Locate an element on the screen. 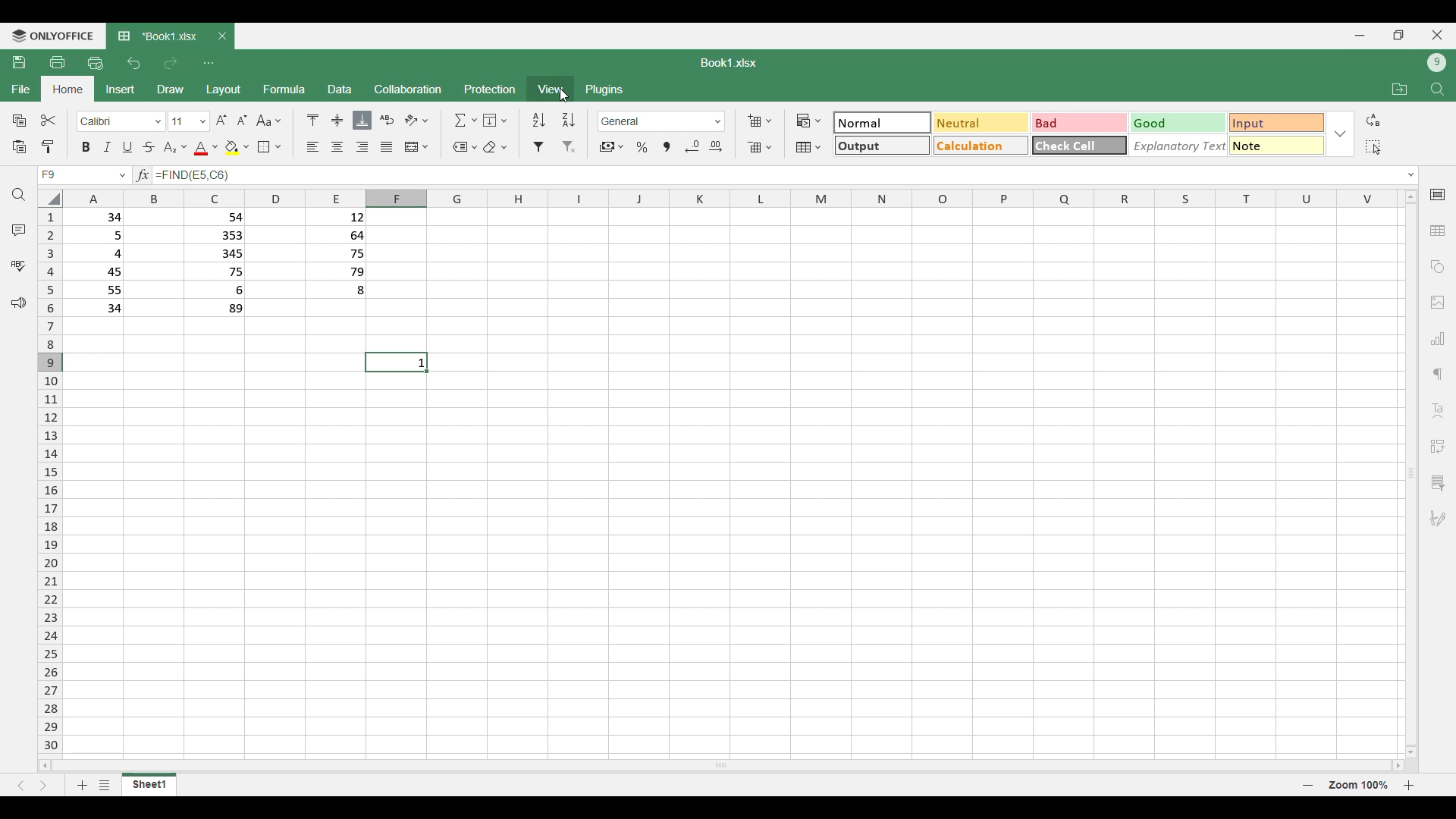  move left  is located at coordinates (45, 769).